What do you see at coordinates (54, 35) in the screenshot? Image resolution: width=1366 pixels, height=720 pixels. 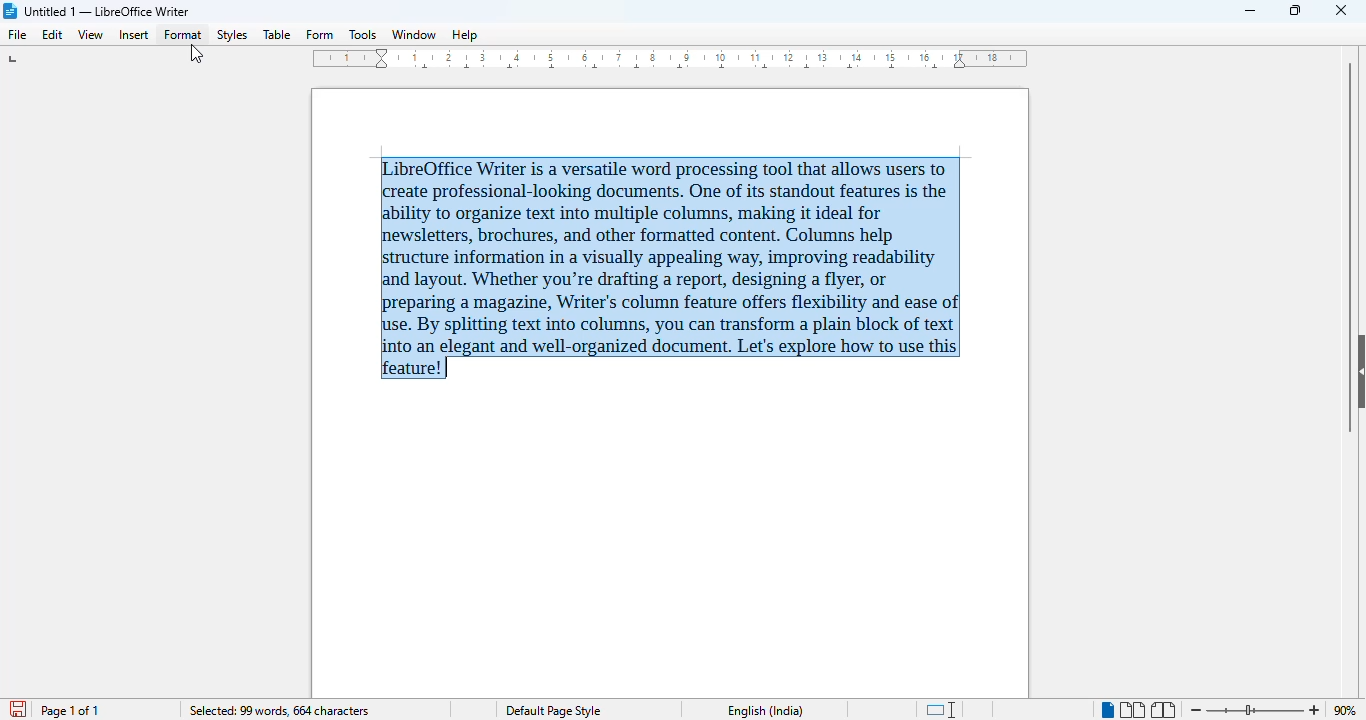 I see `edit` at bounding box center [54, 35].